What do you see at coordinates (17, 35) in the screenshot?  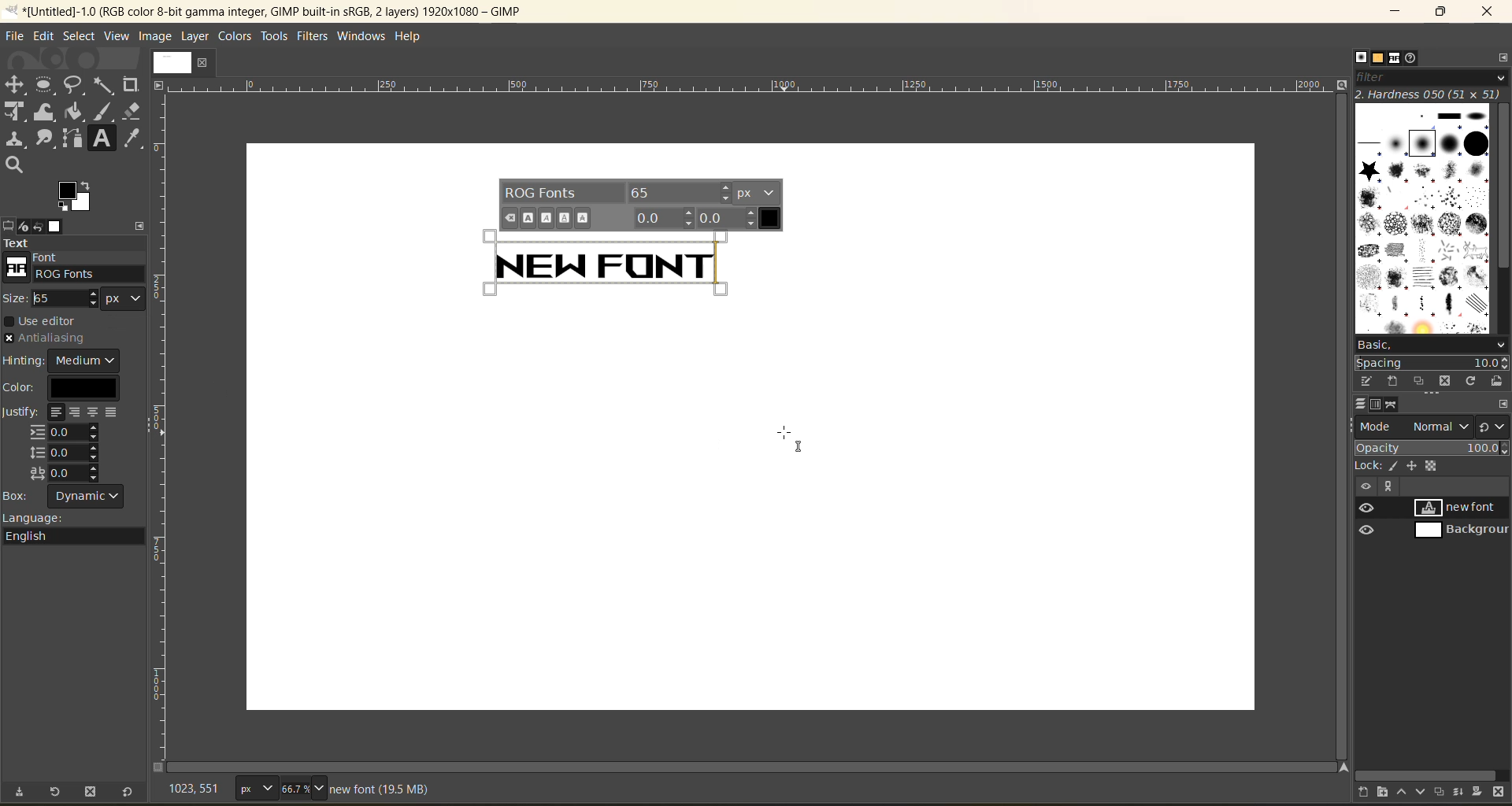 I see `file` at bounding box center [17, 35].